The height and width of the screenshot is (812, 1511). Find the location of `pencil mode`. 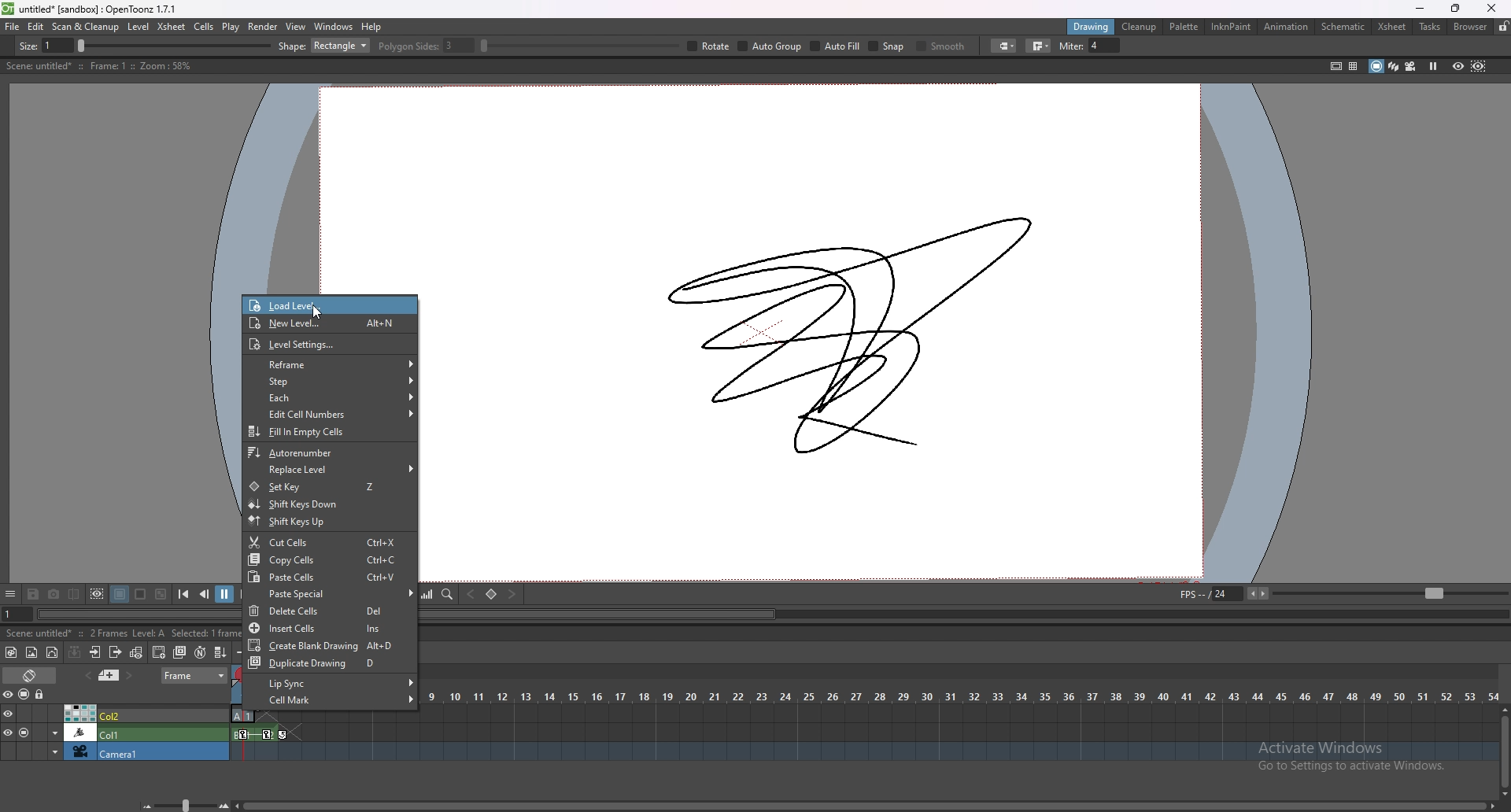

pencil mode is located at coordinates (1150, 46).